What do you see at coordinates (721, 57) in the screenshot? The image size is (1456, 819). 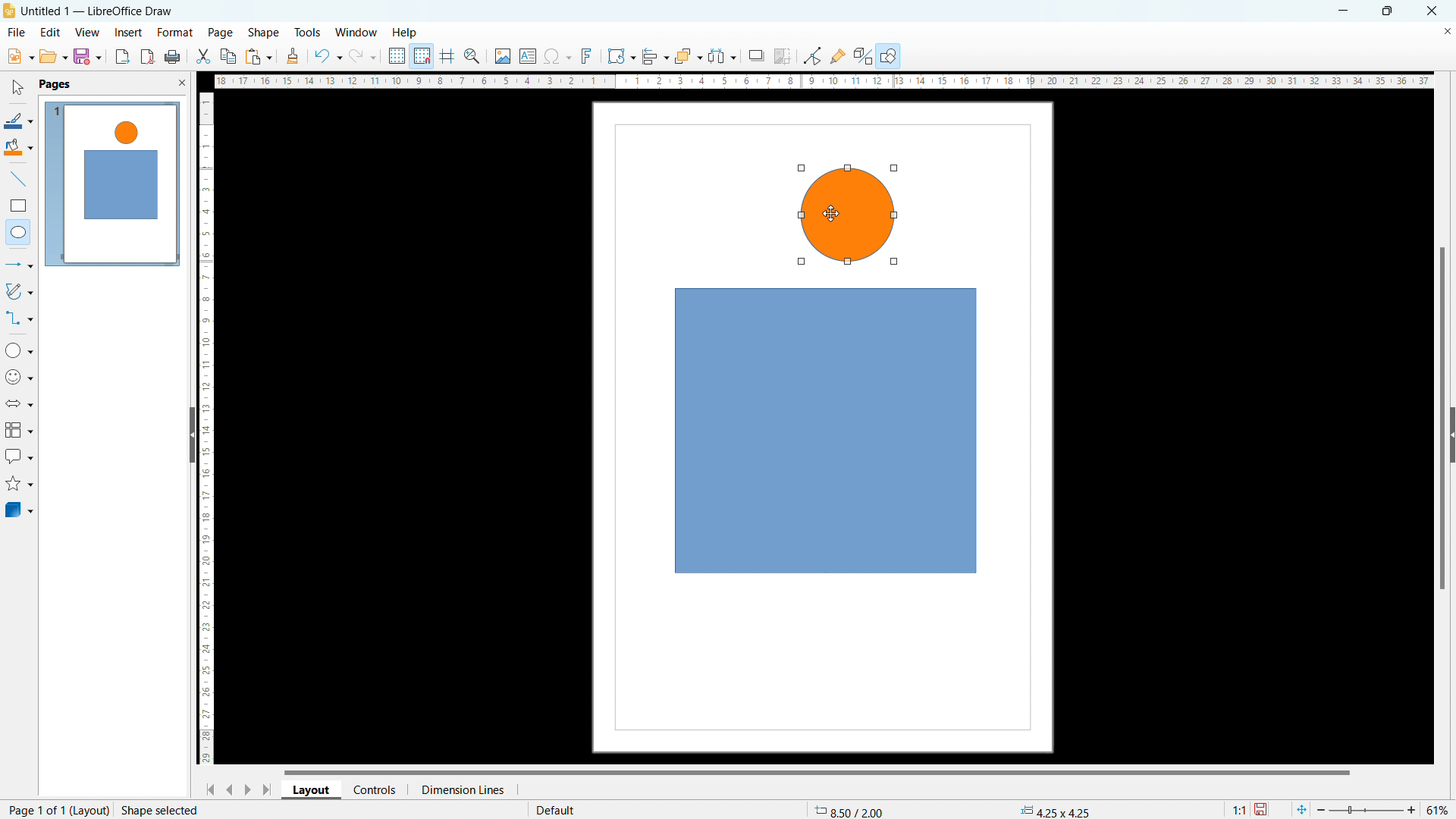 I see `select at least three objects to distributw` at bounding box center [721, 57].